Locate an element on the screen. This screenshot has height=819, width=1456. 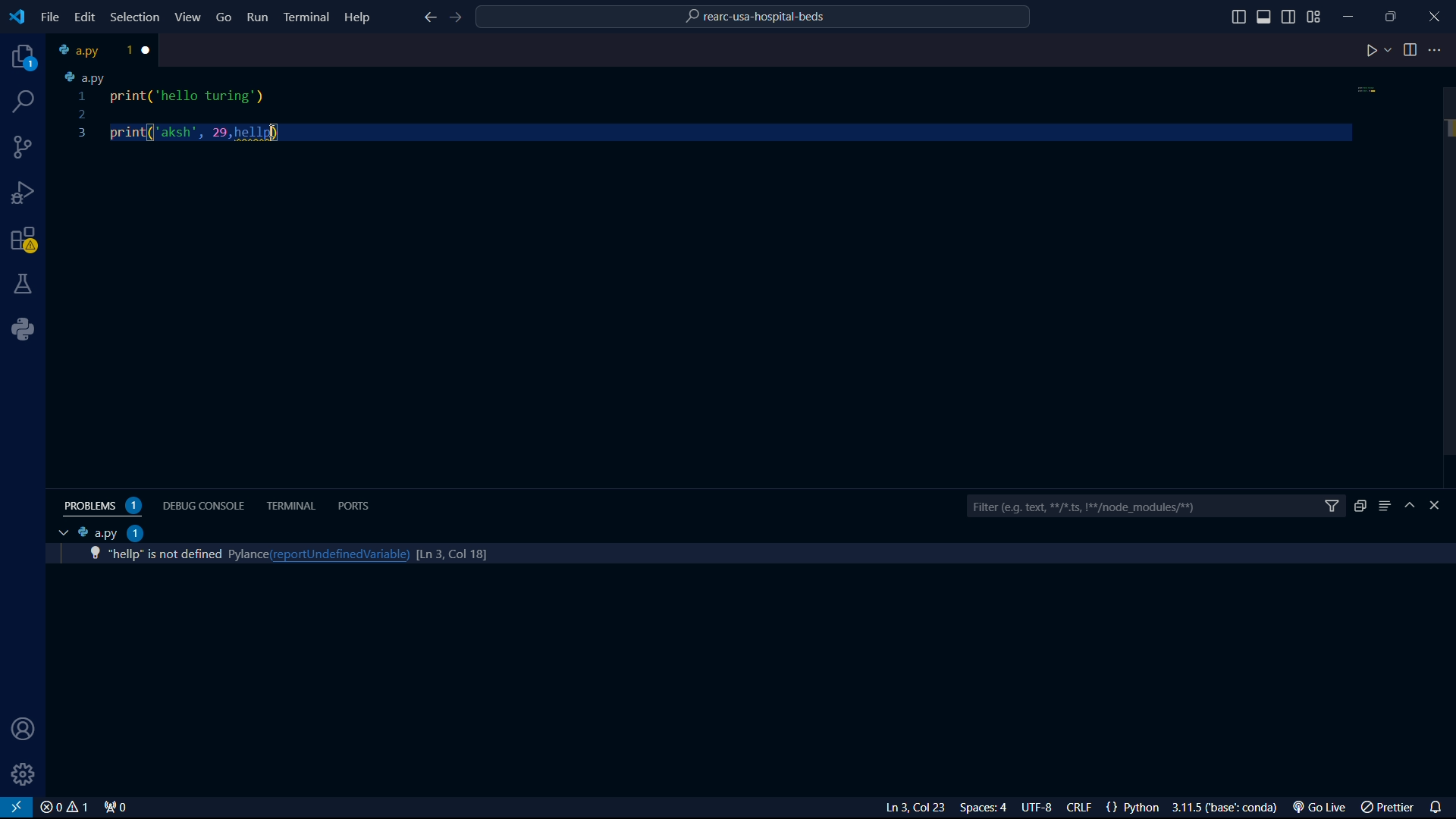
Go Live is located at coordinates (1323, 808).